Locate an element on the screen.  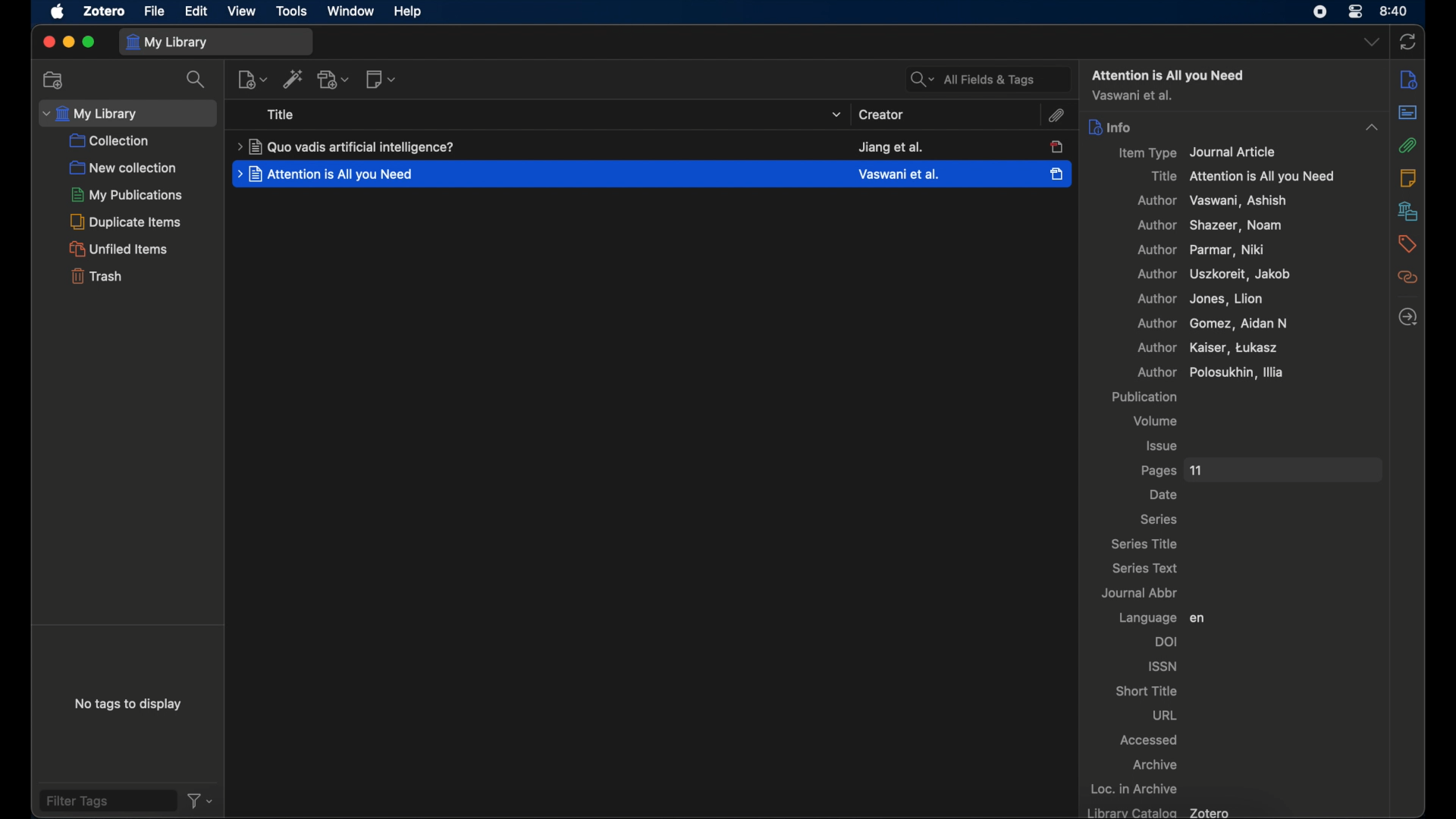
doi is located at coordinates (1169, 642).